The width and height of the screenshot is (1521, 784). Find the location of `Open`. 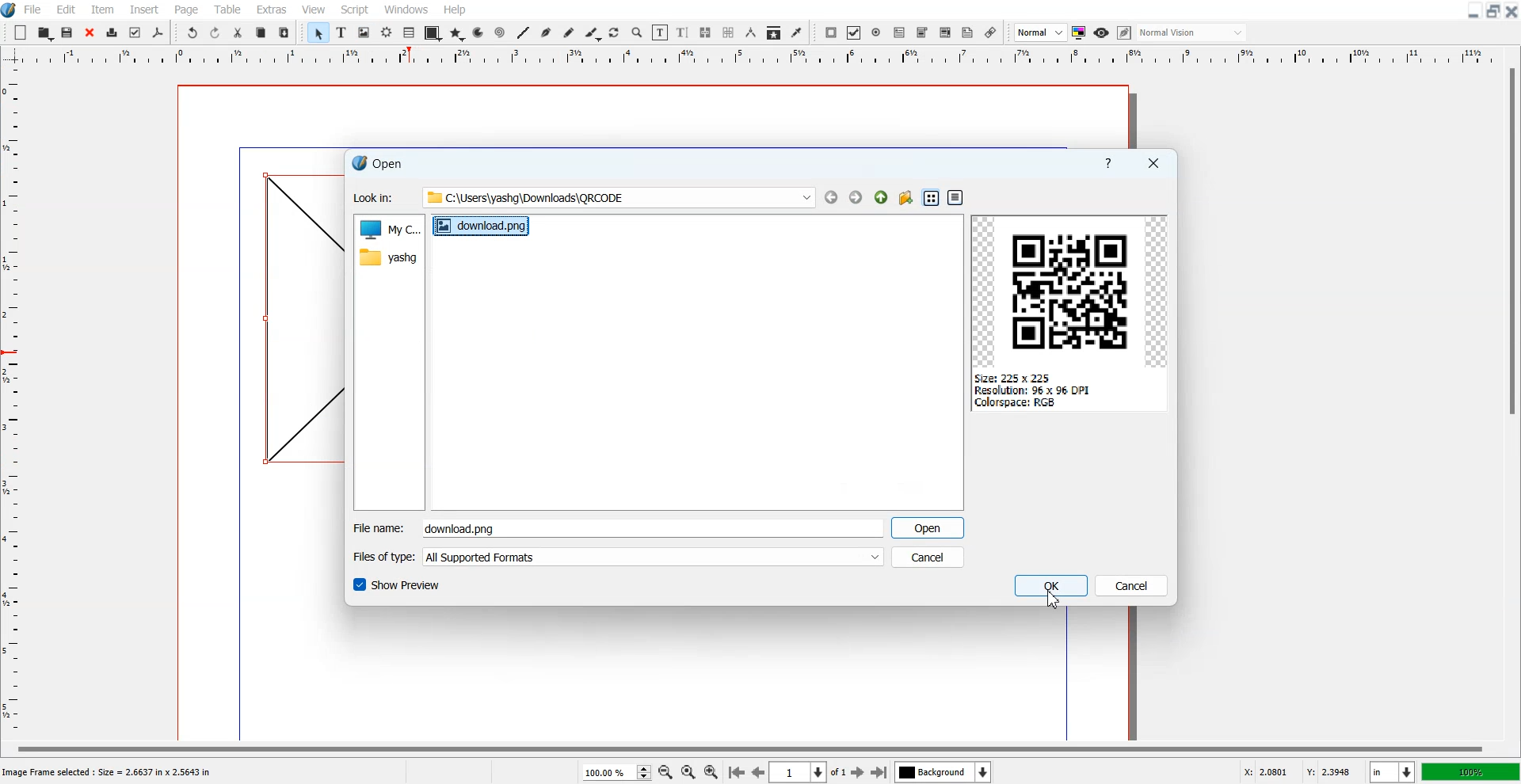

Open is located at coordinates (929, 527).